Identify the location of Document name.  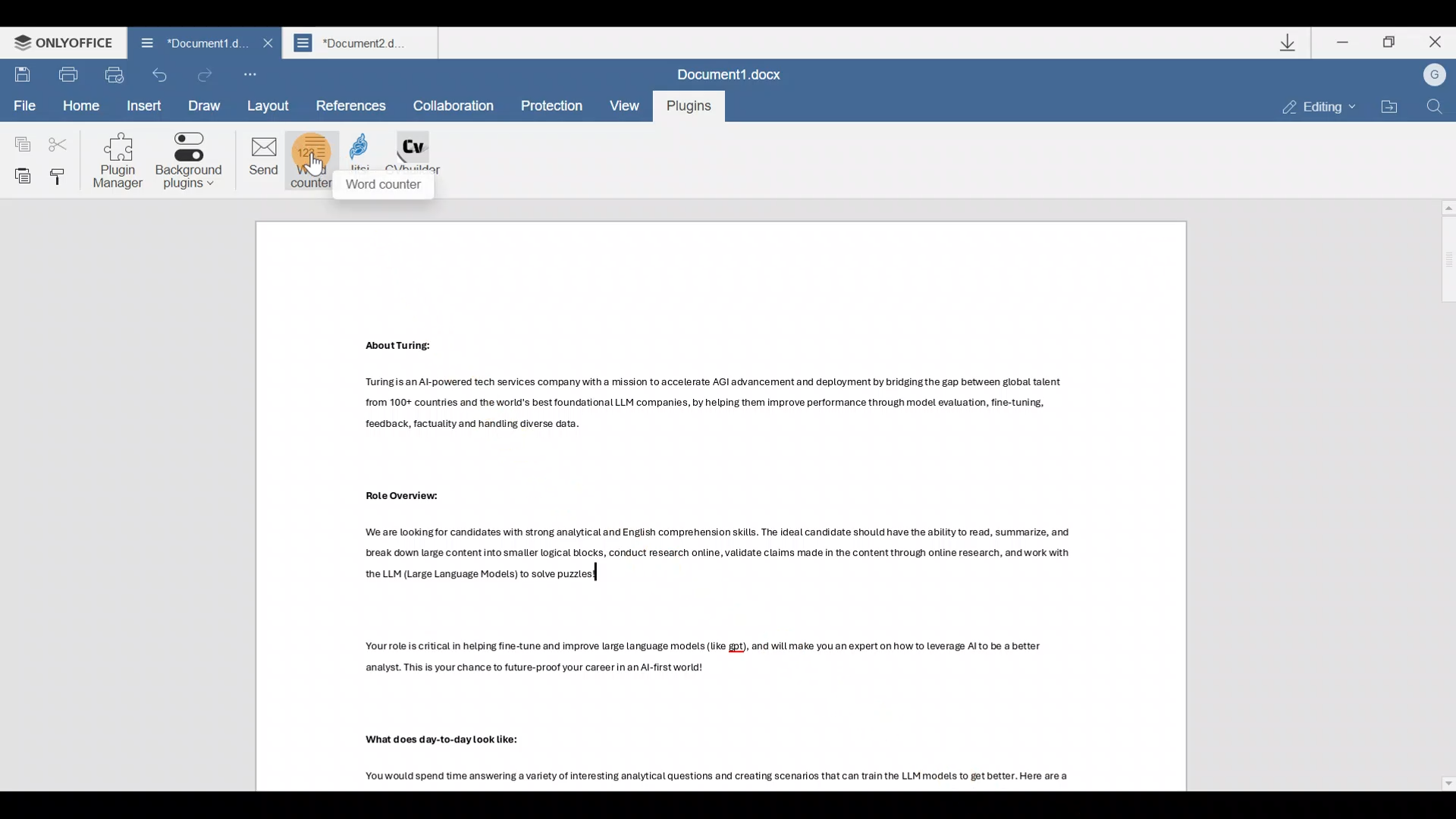
(362, 42).